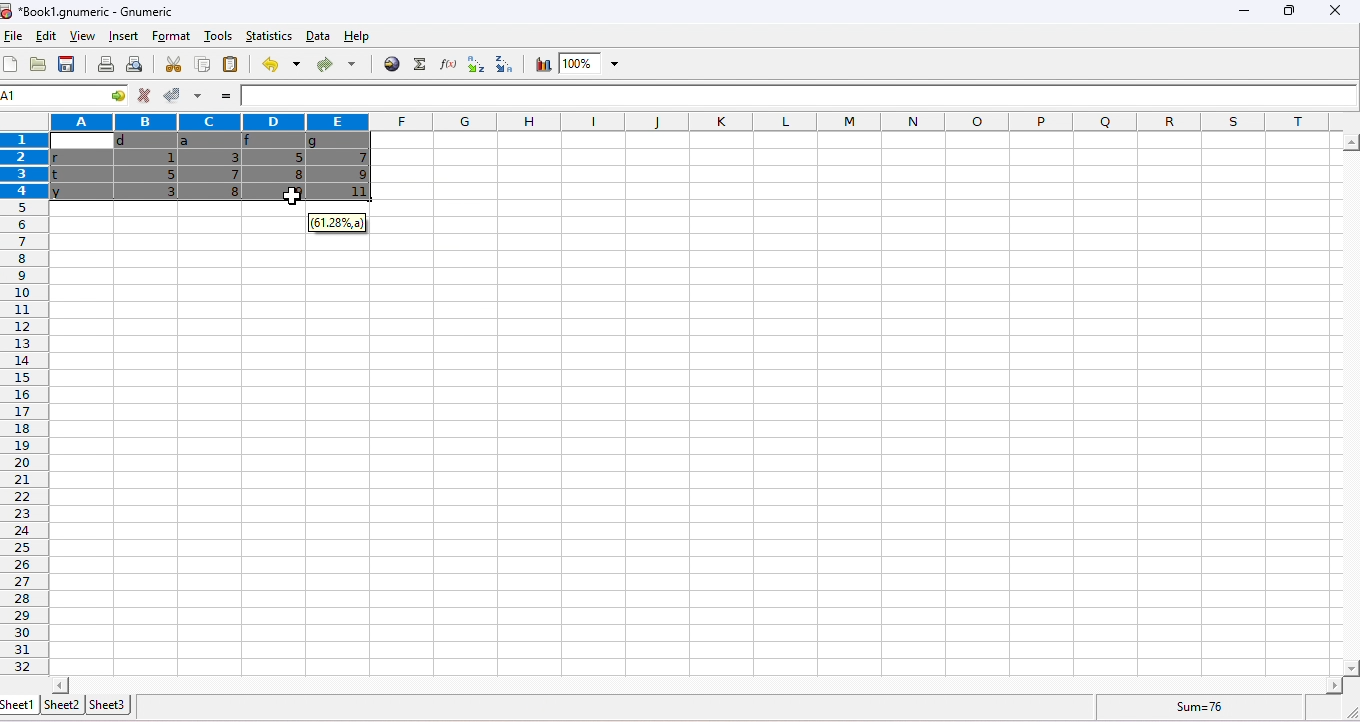 This screenshot has width=1360, height=722. Describe the element at coordinates (592, 64) in the screenshot. I see `zoom` at that location.